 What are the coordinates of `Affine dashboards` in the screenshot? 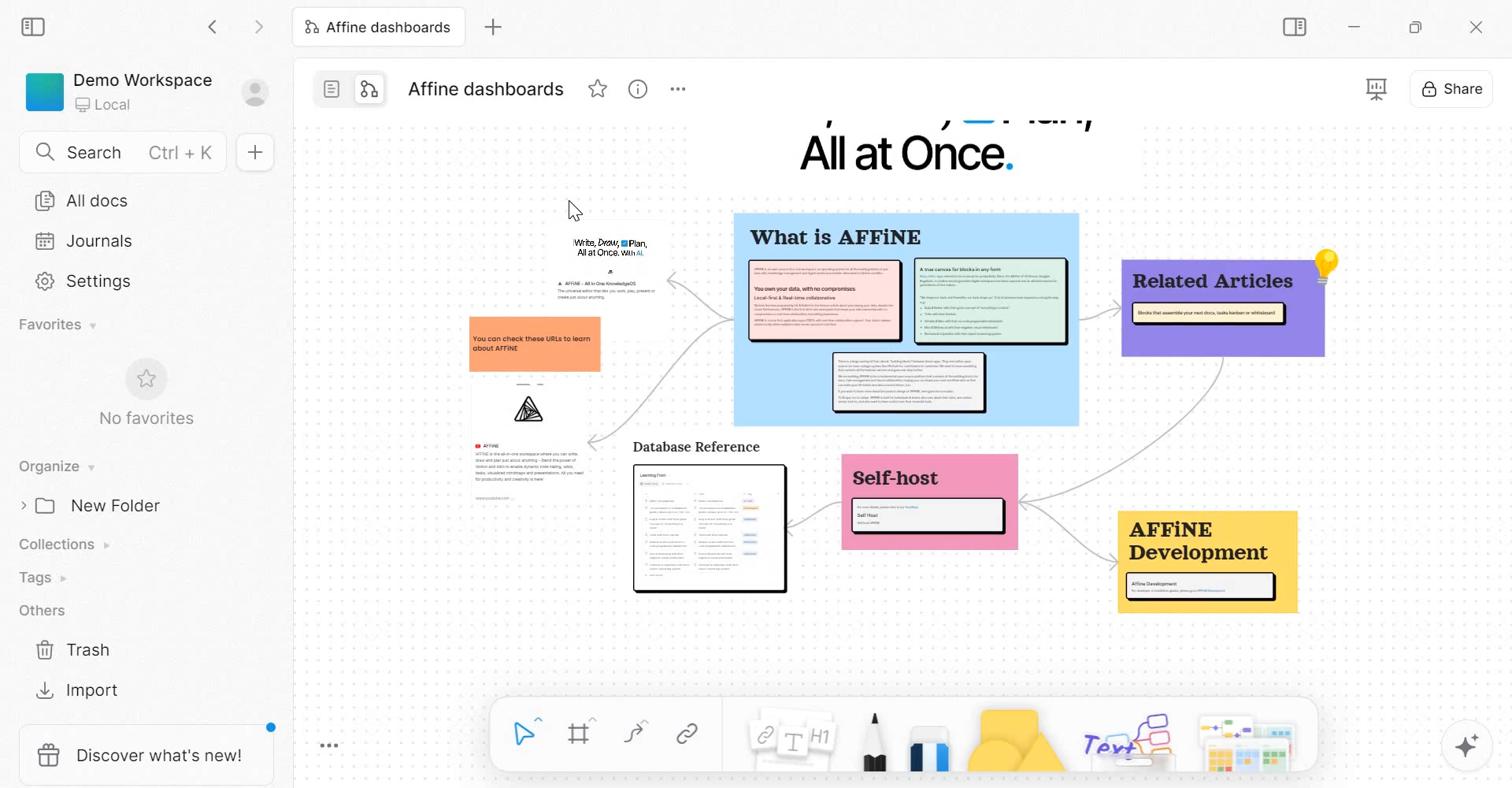 It's located at (488, 88).